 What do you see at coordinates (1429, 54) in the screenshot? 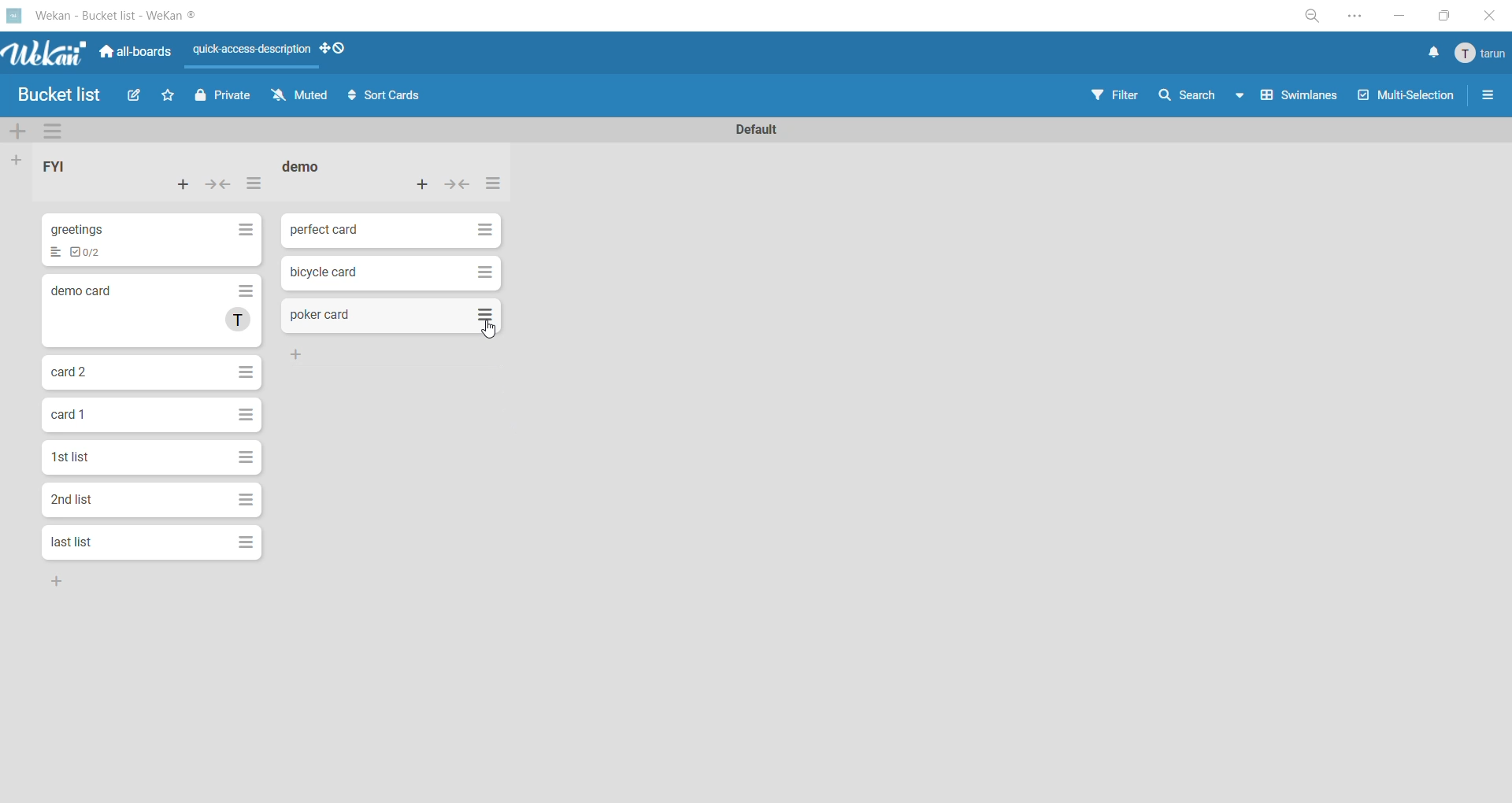
I see `notifications` at bounding box center [1429, 54].